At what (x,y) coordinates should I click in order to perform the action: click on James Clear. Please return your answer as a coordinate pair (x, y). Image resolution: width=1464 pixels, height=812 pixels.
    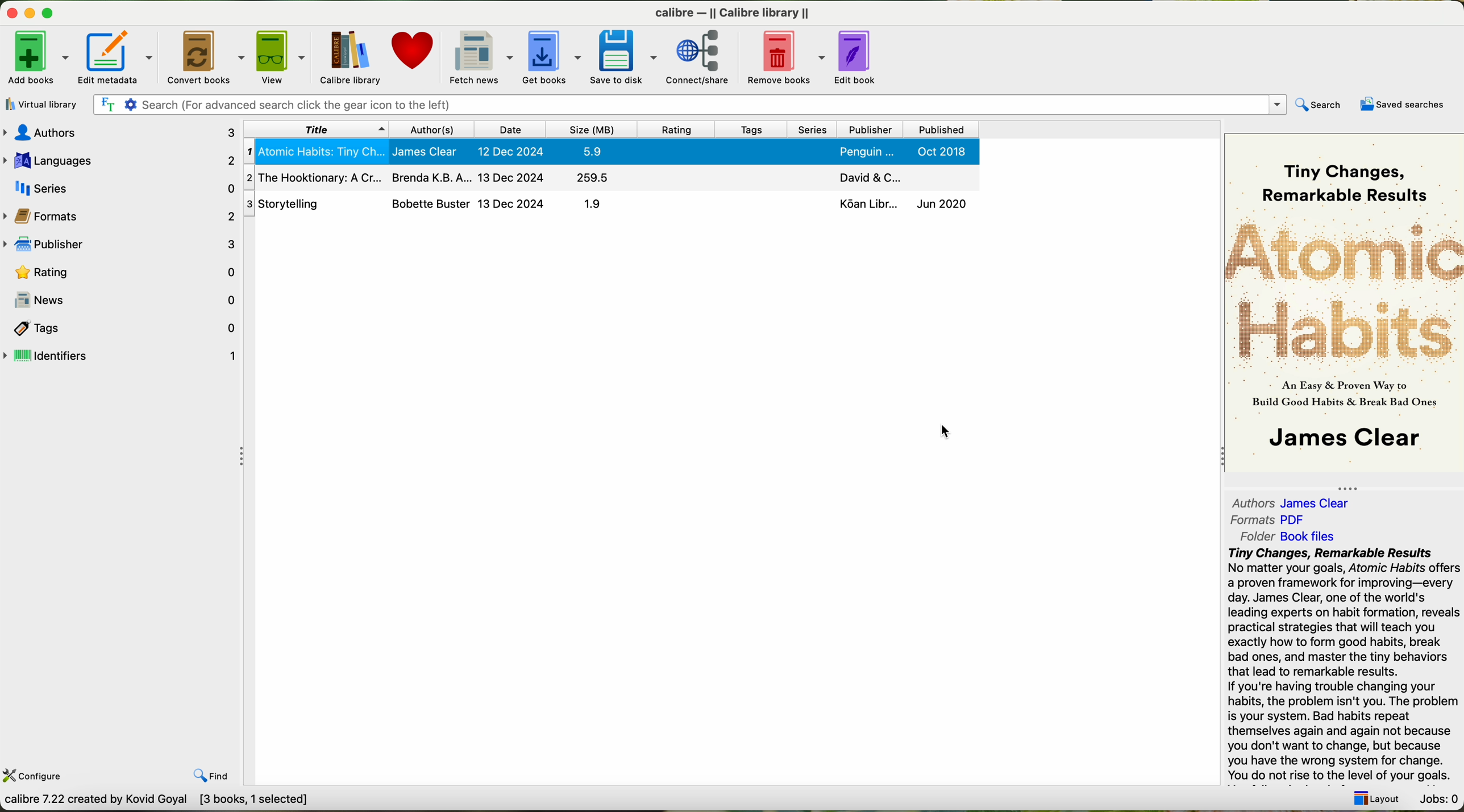
    Looking at the image, I should click on (1320, 503).